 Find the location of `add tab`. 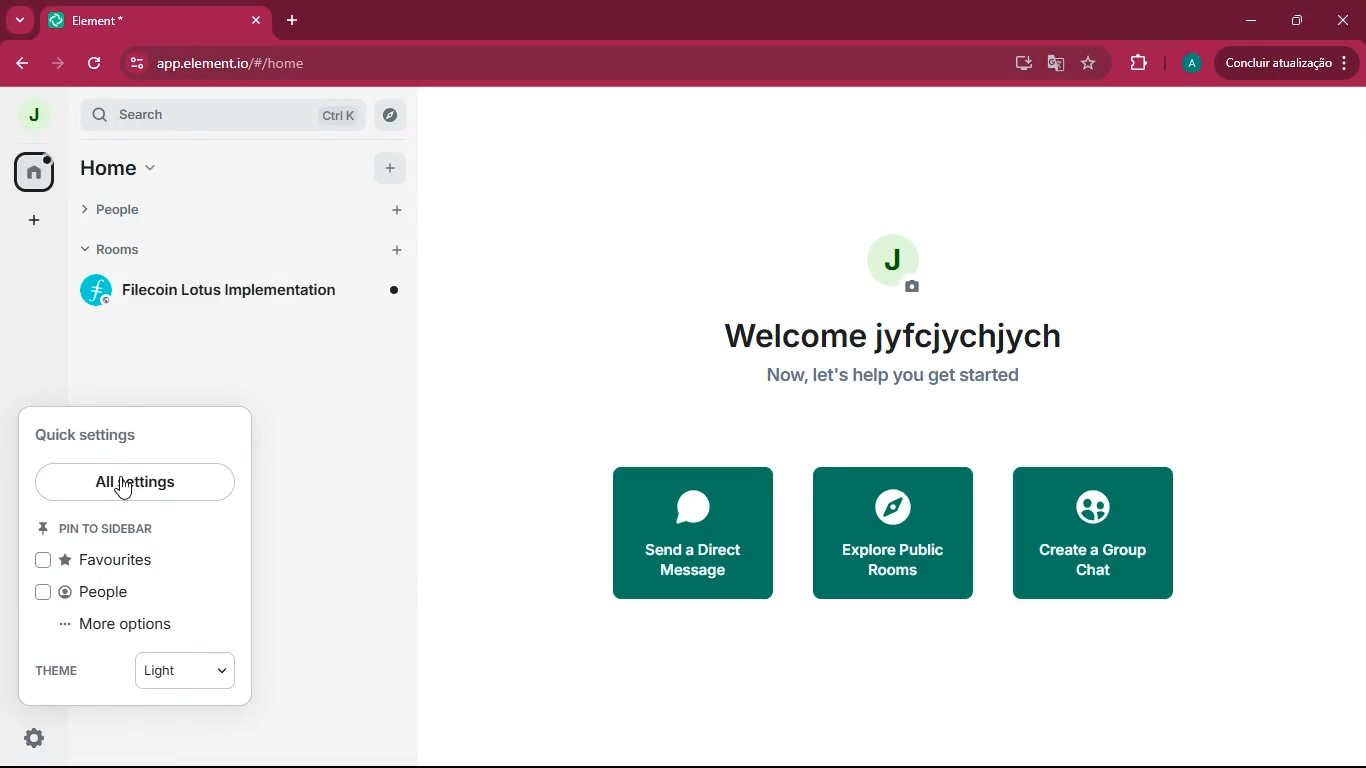

add tab is located at coordinates (295, 16).